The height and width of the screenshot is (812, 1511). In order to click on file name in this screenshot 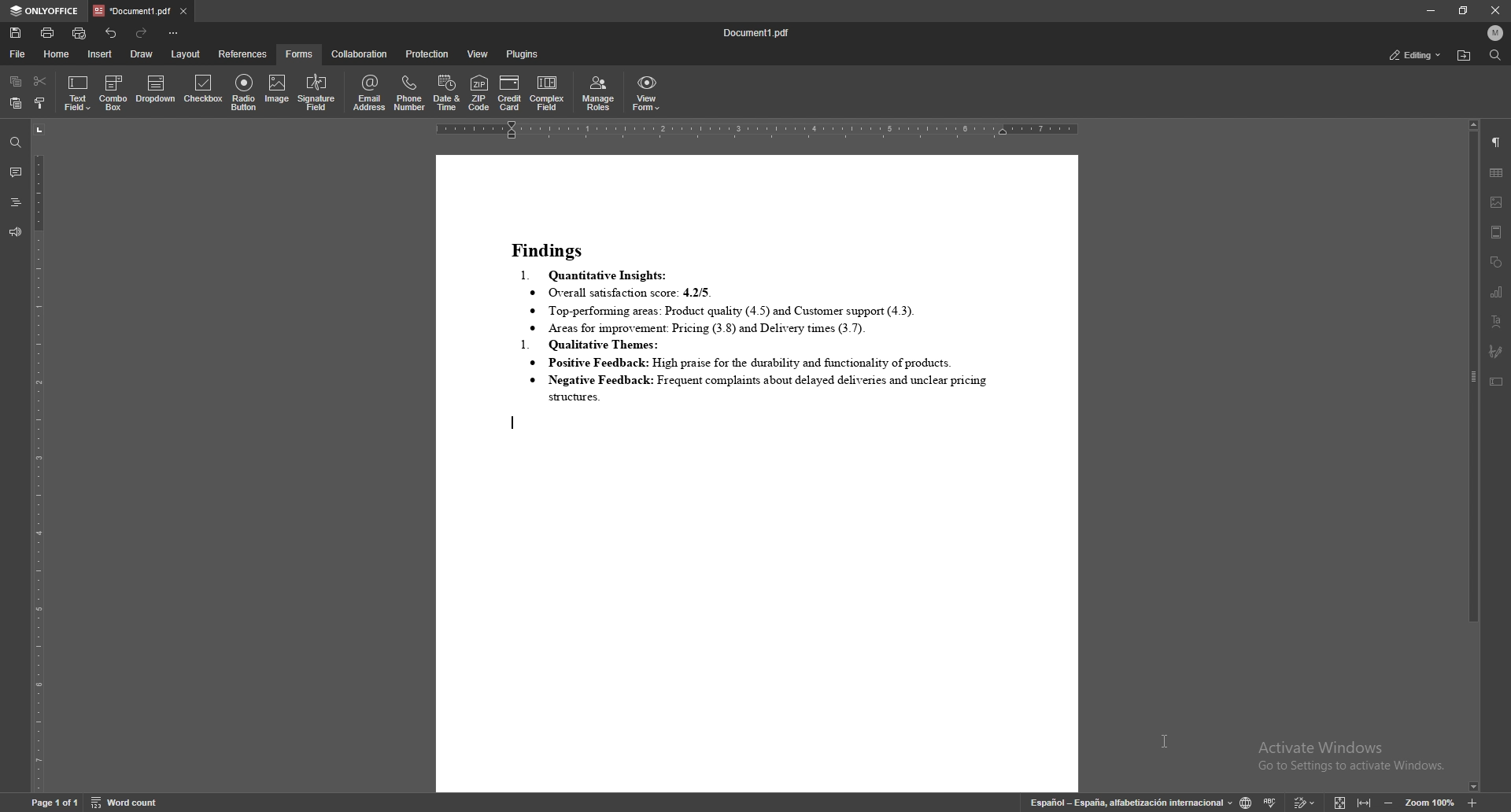, I will do `click(758, 35)`.